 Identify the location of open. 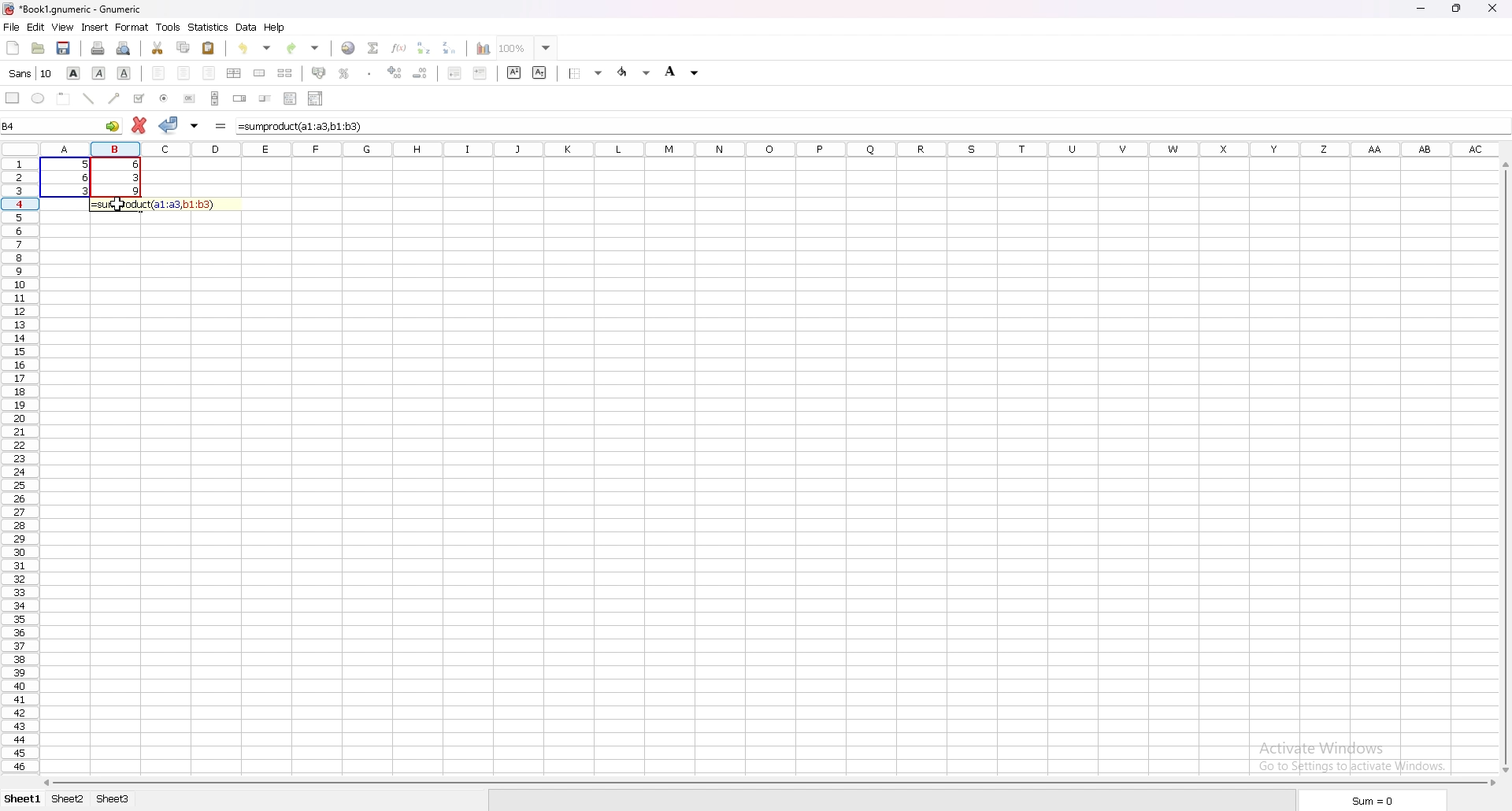
(38, 49).